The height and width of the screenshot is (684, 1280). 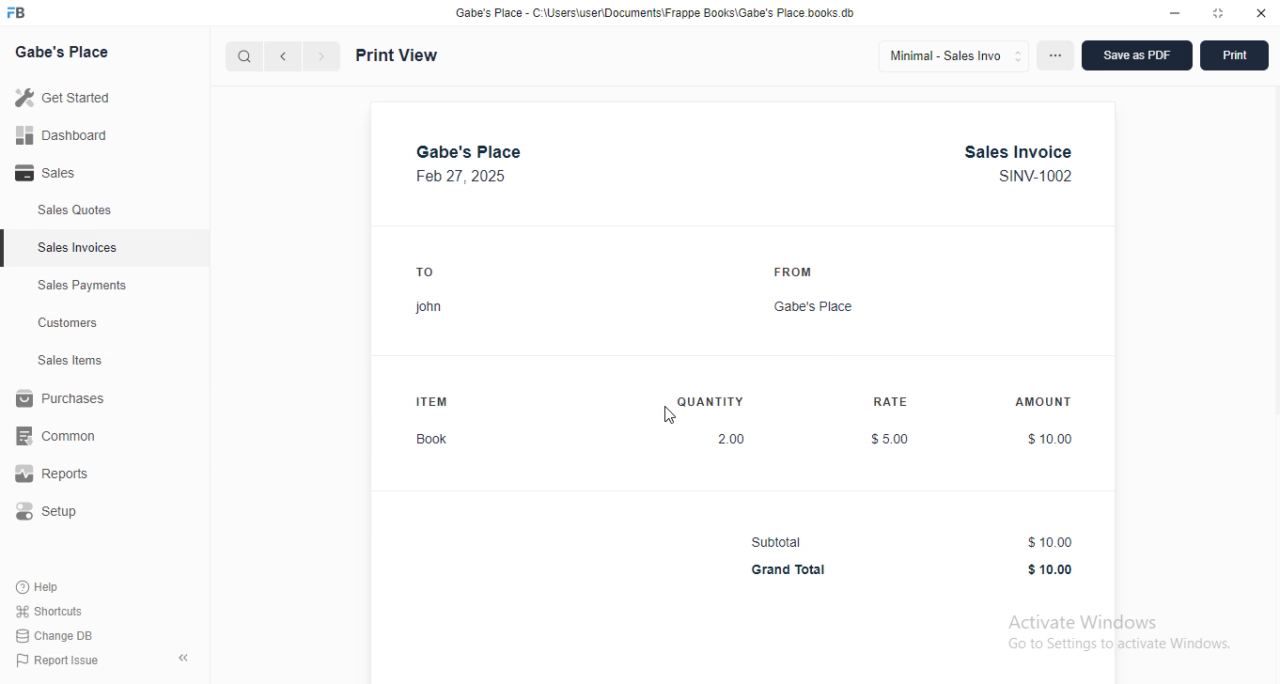 What do you see at coordinates (1043, 401) in the screenshot?
I see `AMOUNT` at bounding box center [1043, 401].